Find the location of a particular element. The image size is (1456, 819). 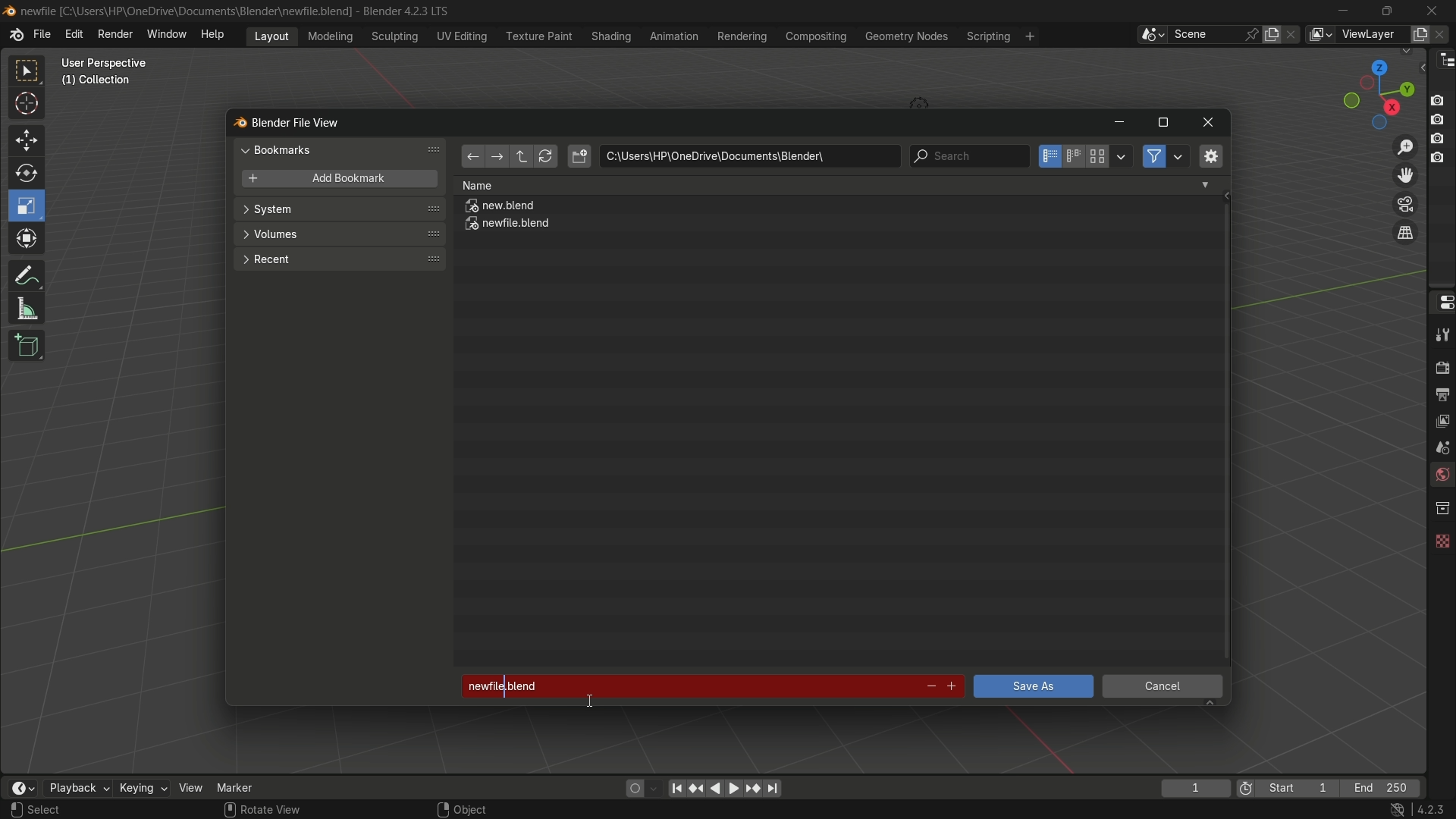

system is located at coordinates (340, 211).